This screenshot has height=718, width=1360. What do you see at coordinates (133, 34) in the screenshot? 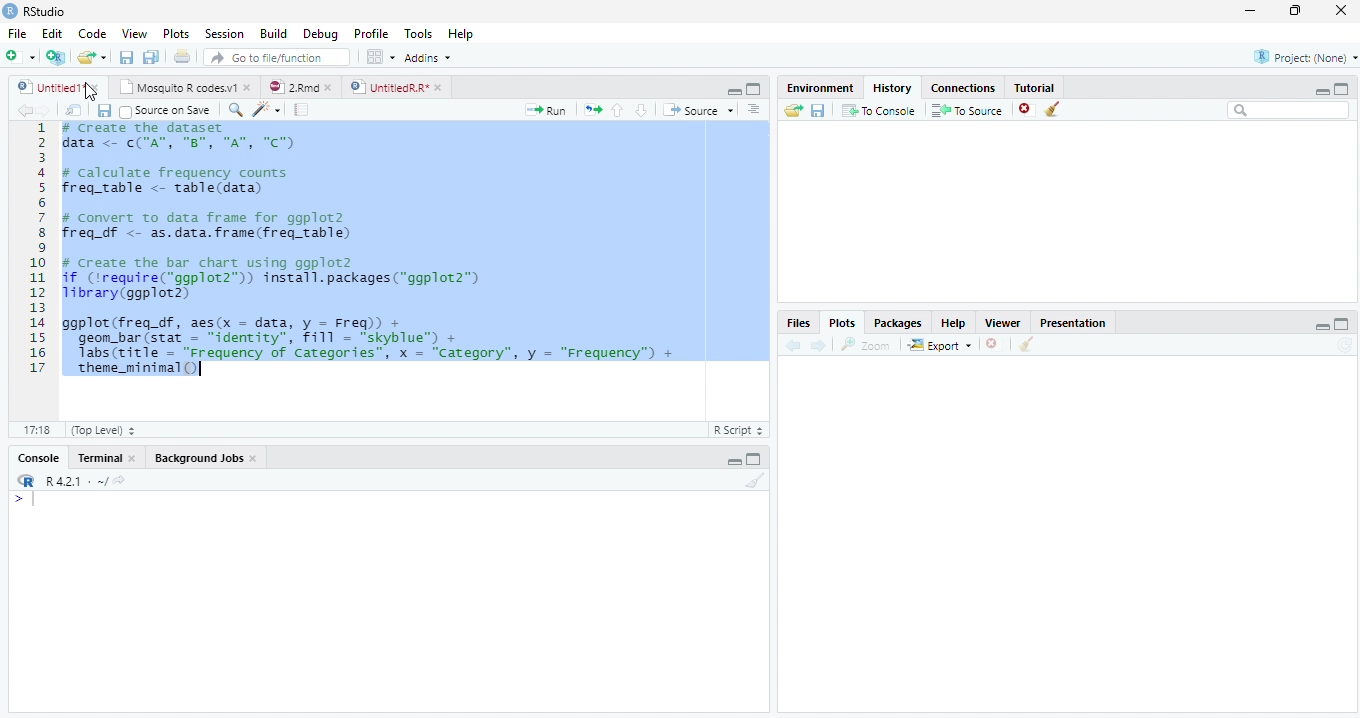
I see `View` at bounding box center [133, 34].